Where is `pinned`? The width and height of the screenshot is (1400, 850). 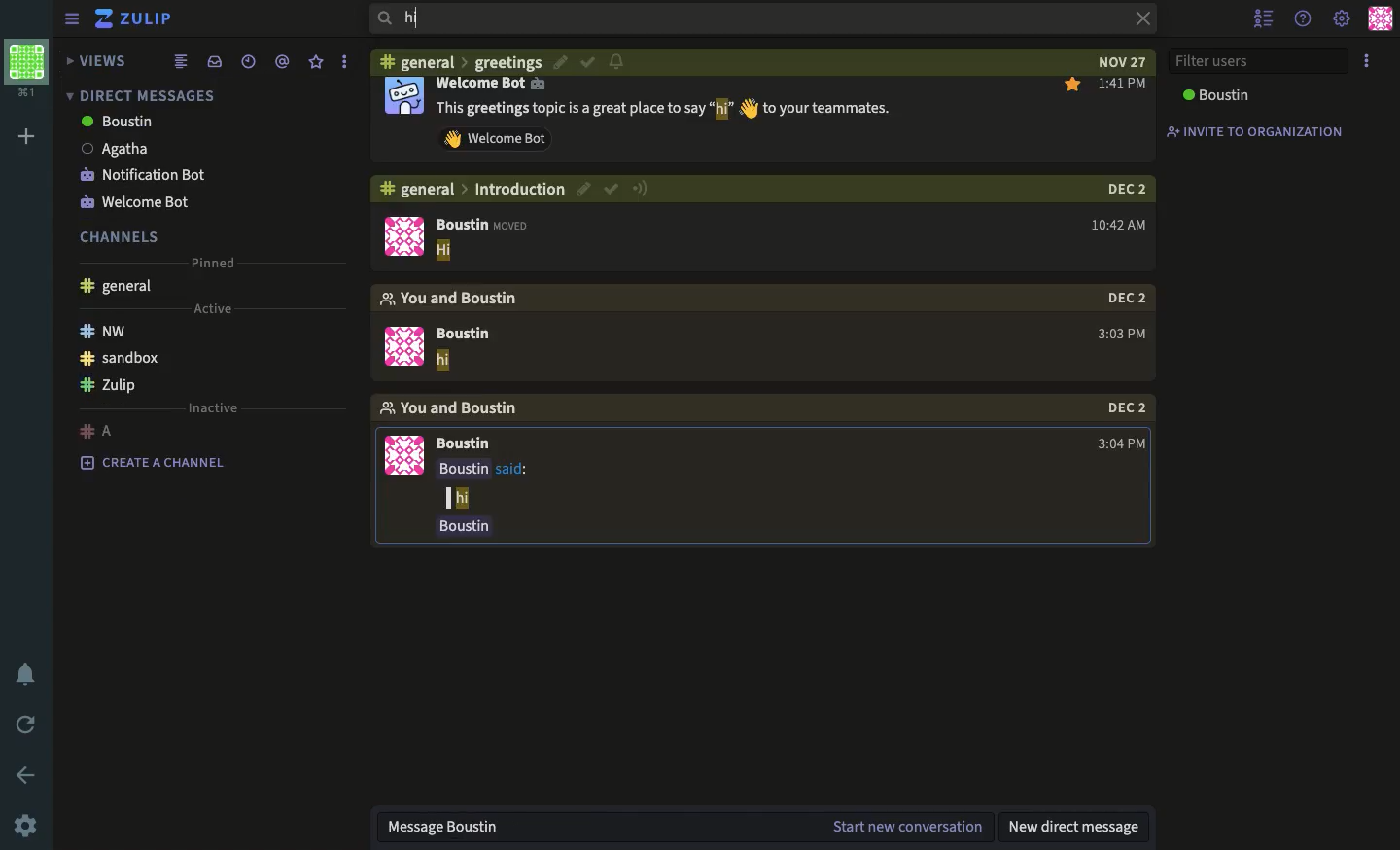
pinned is located at coordinates (215, 266).